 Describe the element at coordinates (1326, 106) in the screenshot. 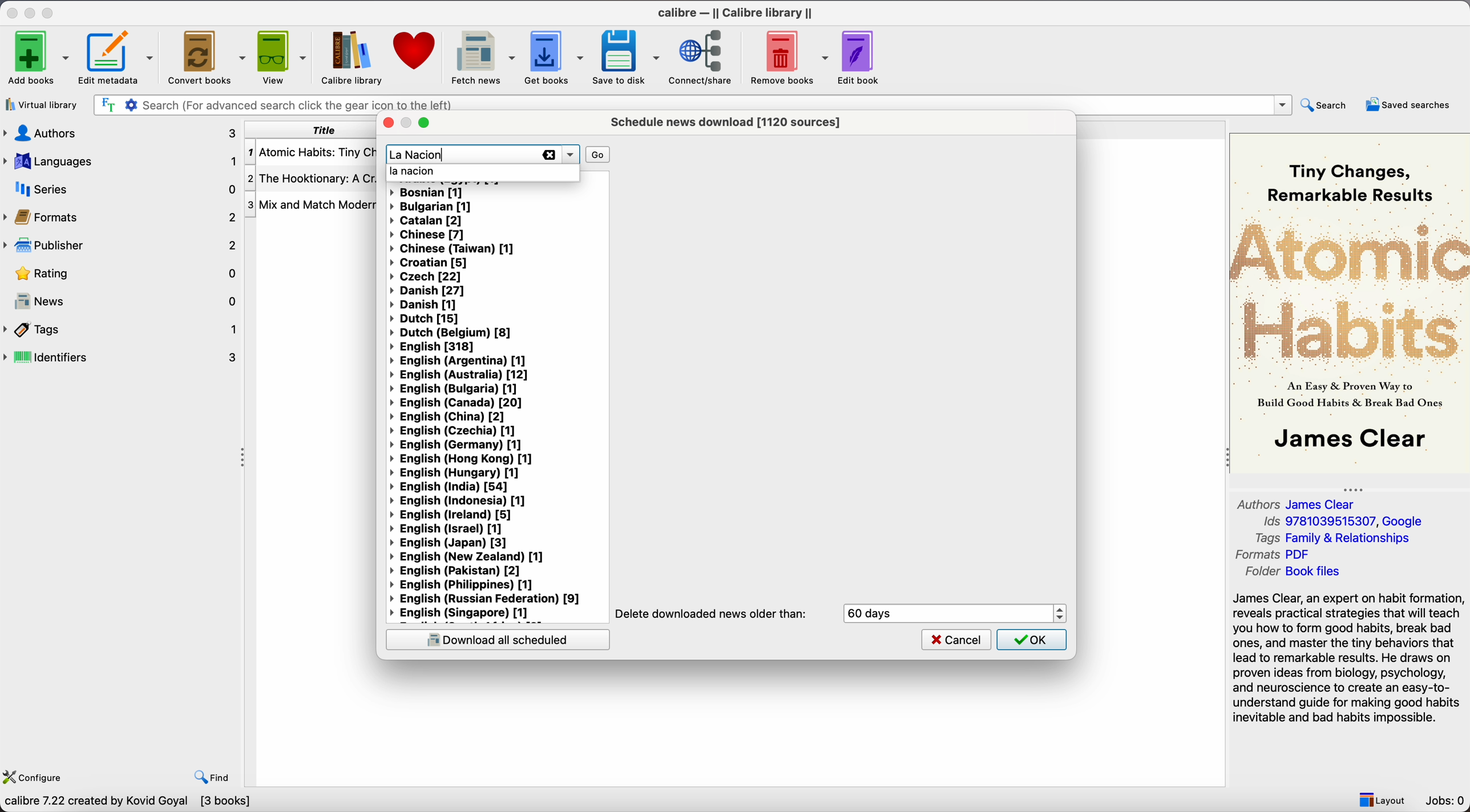

I see `search` at that location.